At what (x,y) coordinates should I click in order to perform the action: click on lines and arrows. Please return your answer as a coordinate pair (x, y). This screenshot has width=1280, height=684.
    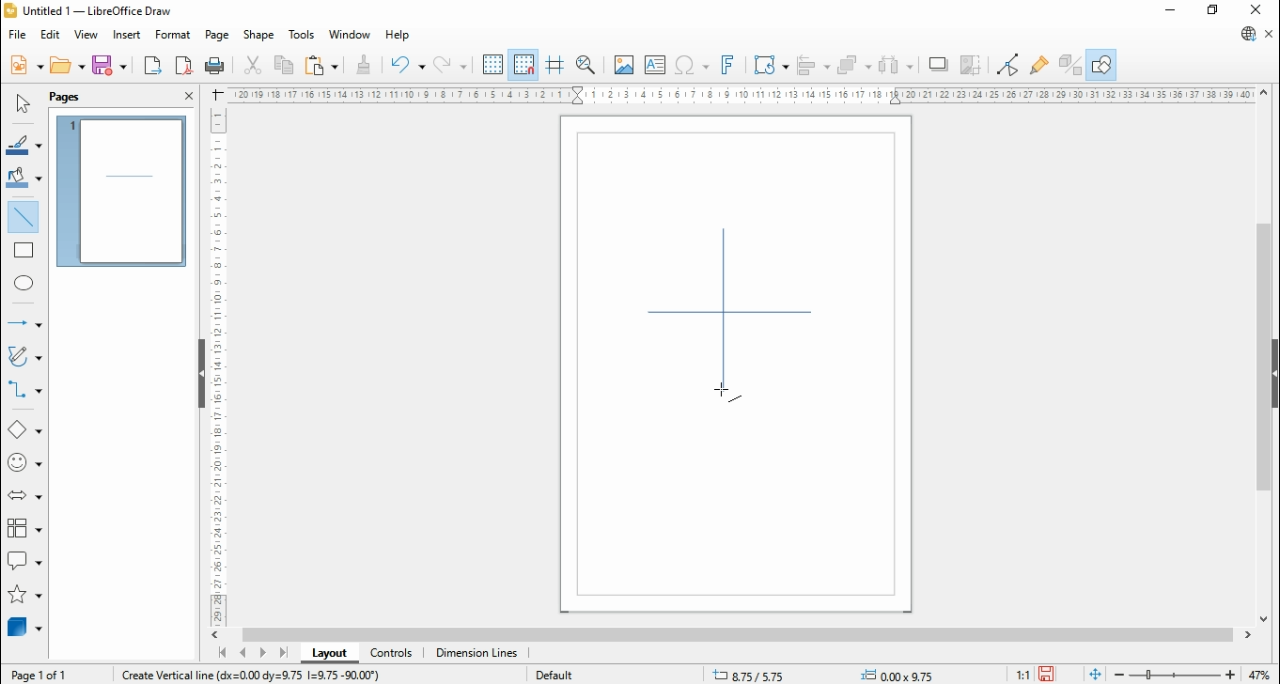
    Looking at the image, I should click on (22, 323).